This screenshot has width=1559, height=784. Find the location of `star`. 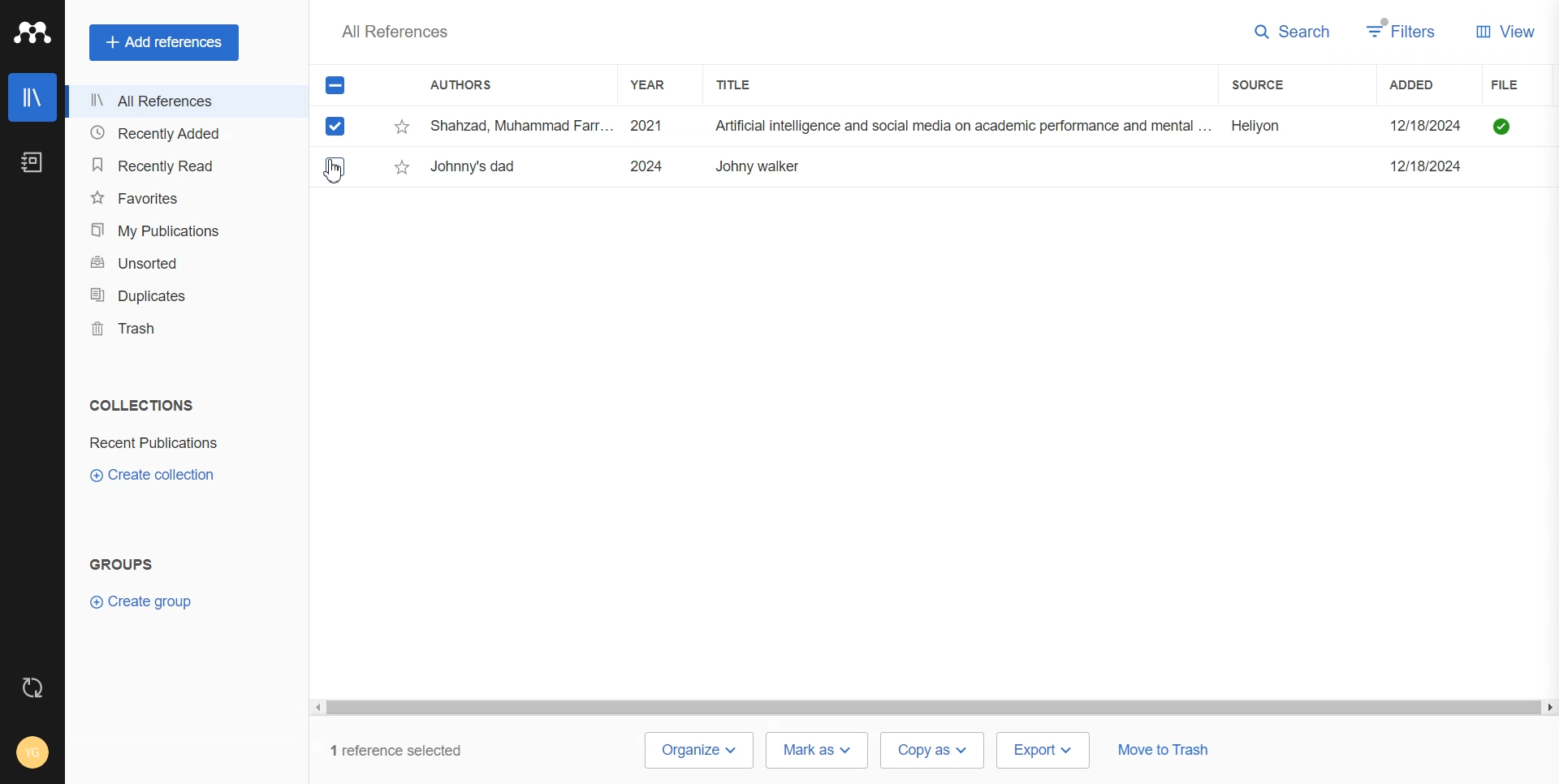

star is located at coordinates (403, 127).